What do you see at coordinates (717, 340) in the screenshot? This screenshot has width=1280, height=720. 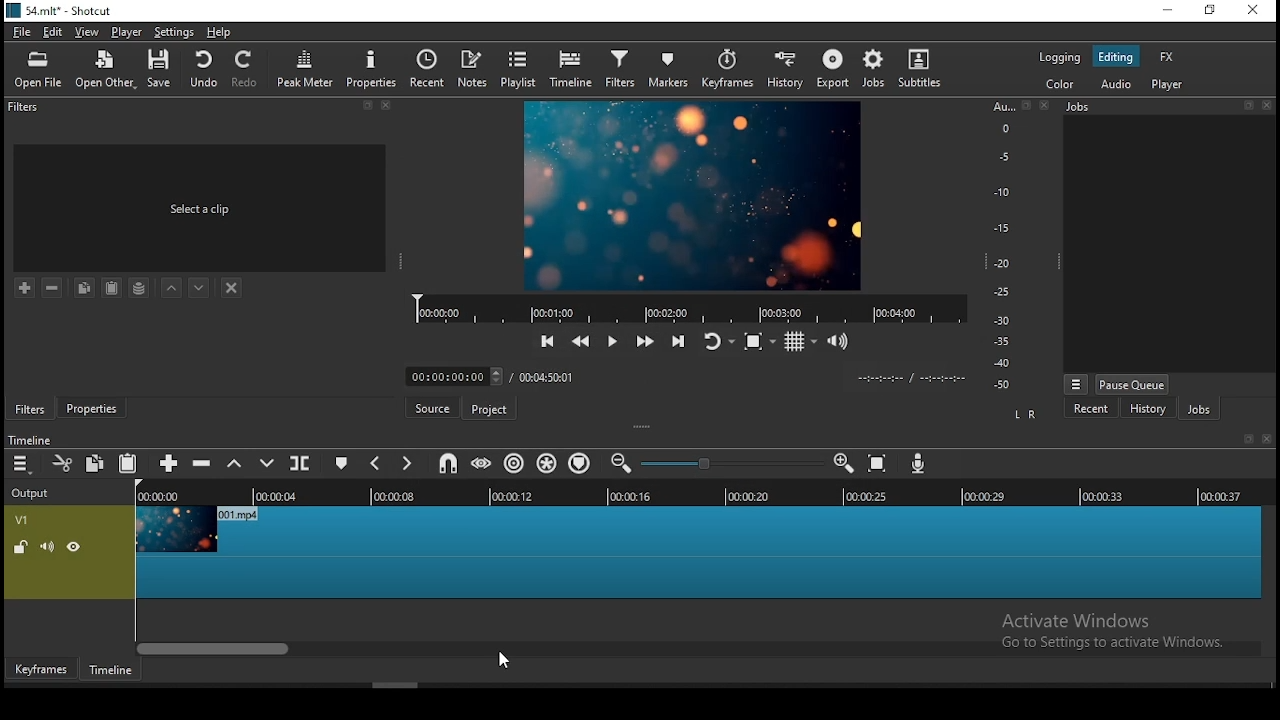 I see `toggle player looping` at bounding box center [717, 340].